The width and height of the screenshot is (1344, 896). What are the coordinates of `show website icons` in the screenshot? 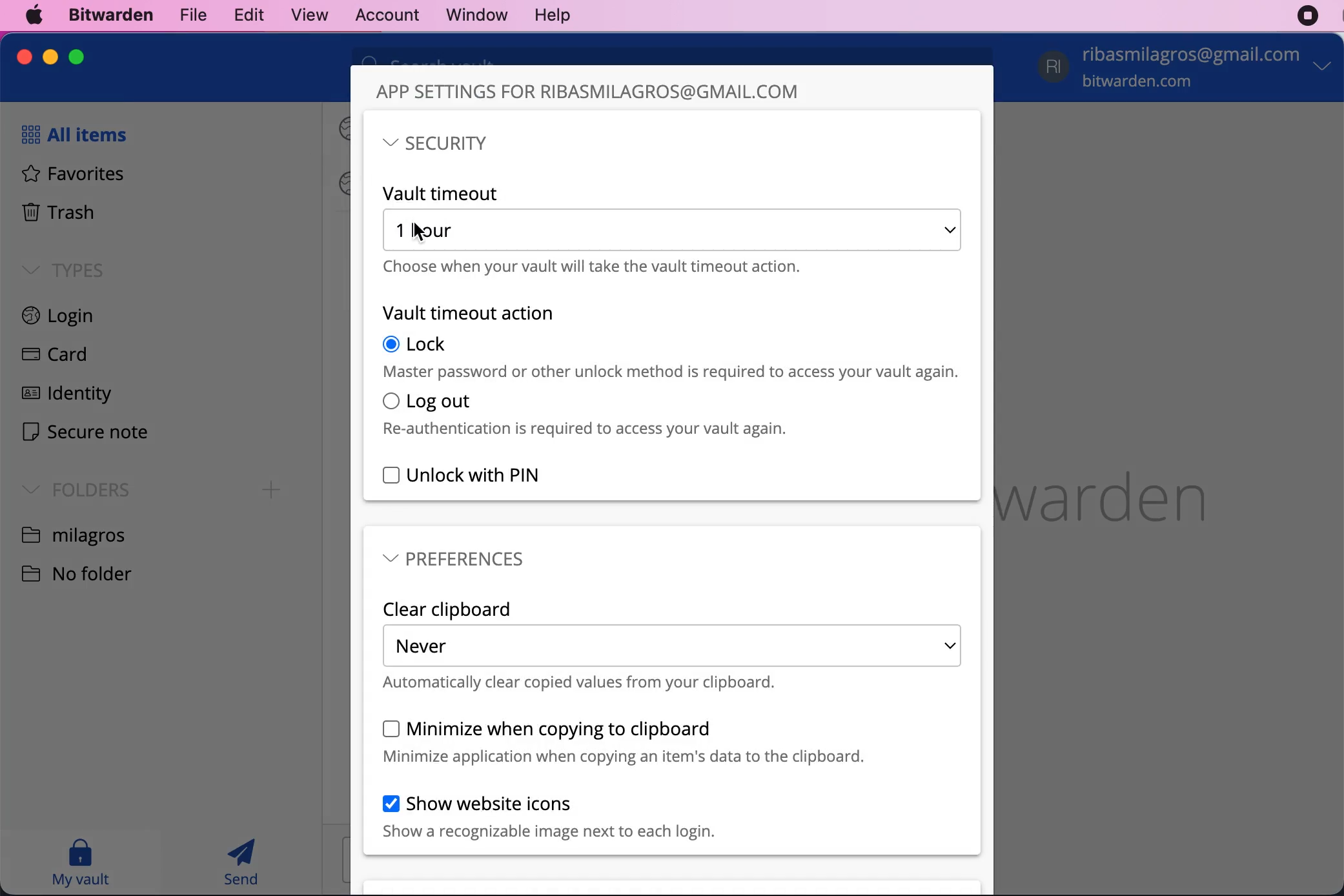 It's located at (549, 817).